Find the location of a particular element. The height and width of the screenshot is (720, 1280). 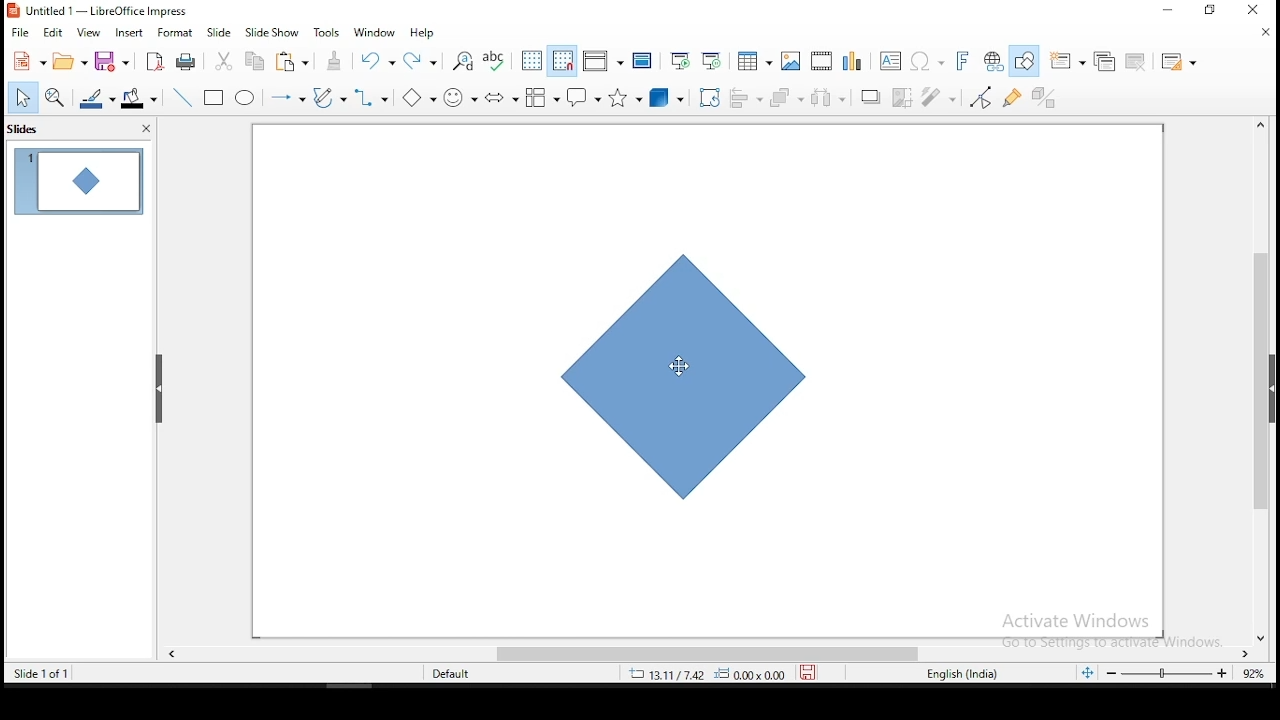

Slide 1 of 1 is located at coordinates (43, 674).